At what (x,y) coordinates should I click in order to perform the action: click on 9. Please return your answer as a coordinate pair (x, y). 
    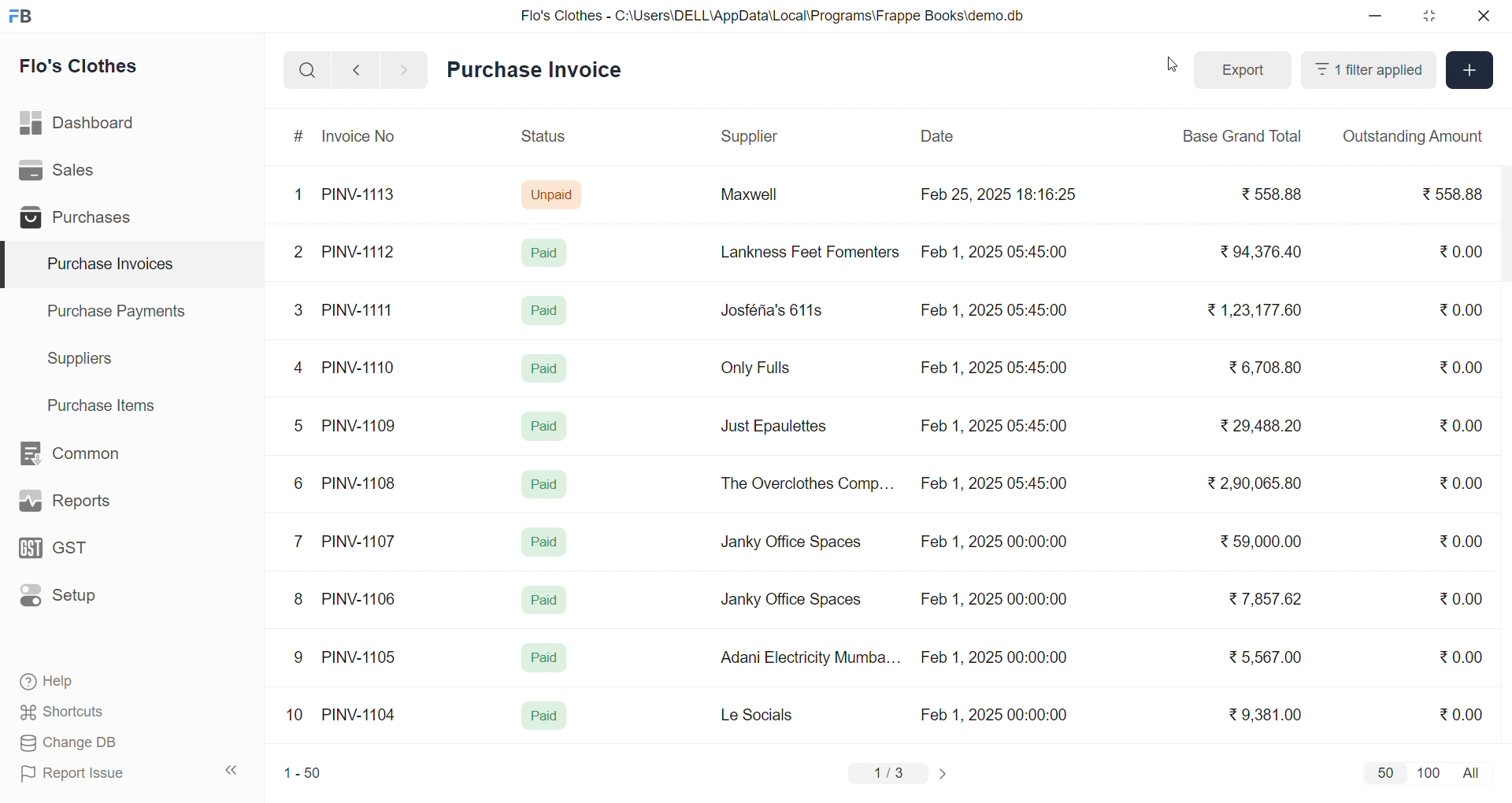
    Looking at the image, I should click on (299, 657).